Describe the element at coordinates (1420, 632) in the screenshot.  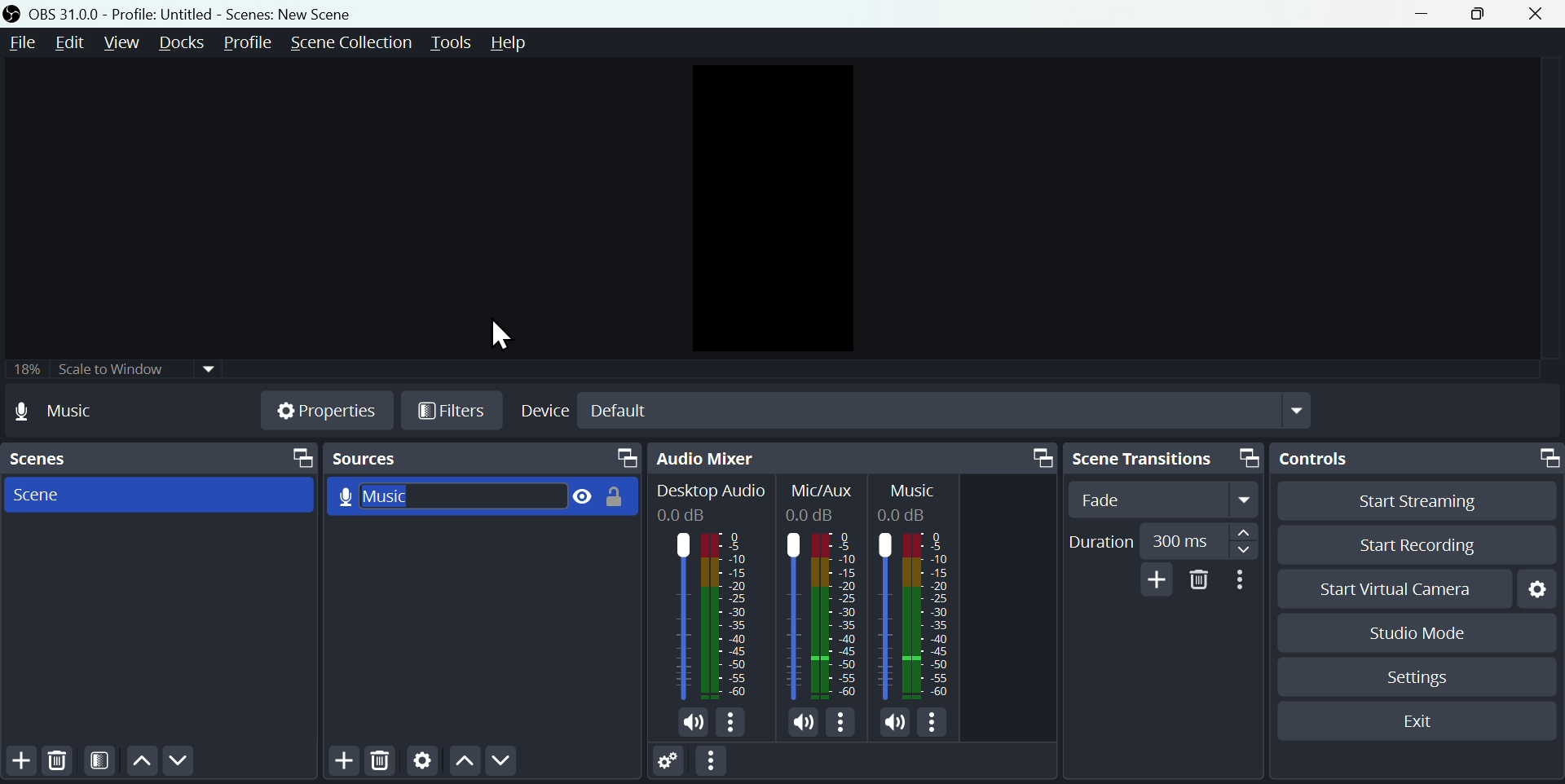
I see `Studio mode` at that location.